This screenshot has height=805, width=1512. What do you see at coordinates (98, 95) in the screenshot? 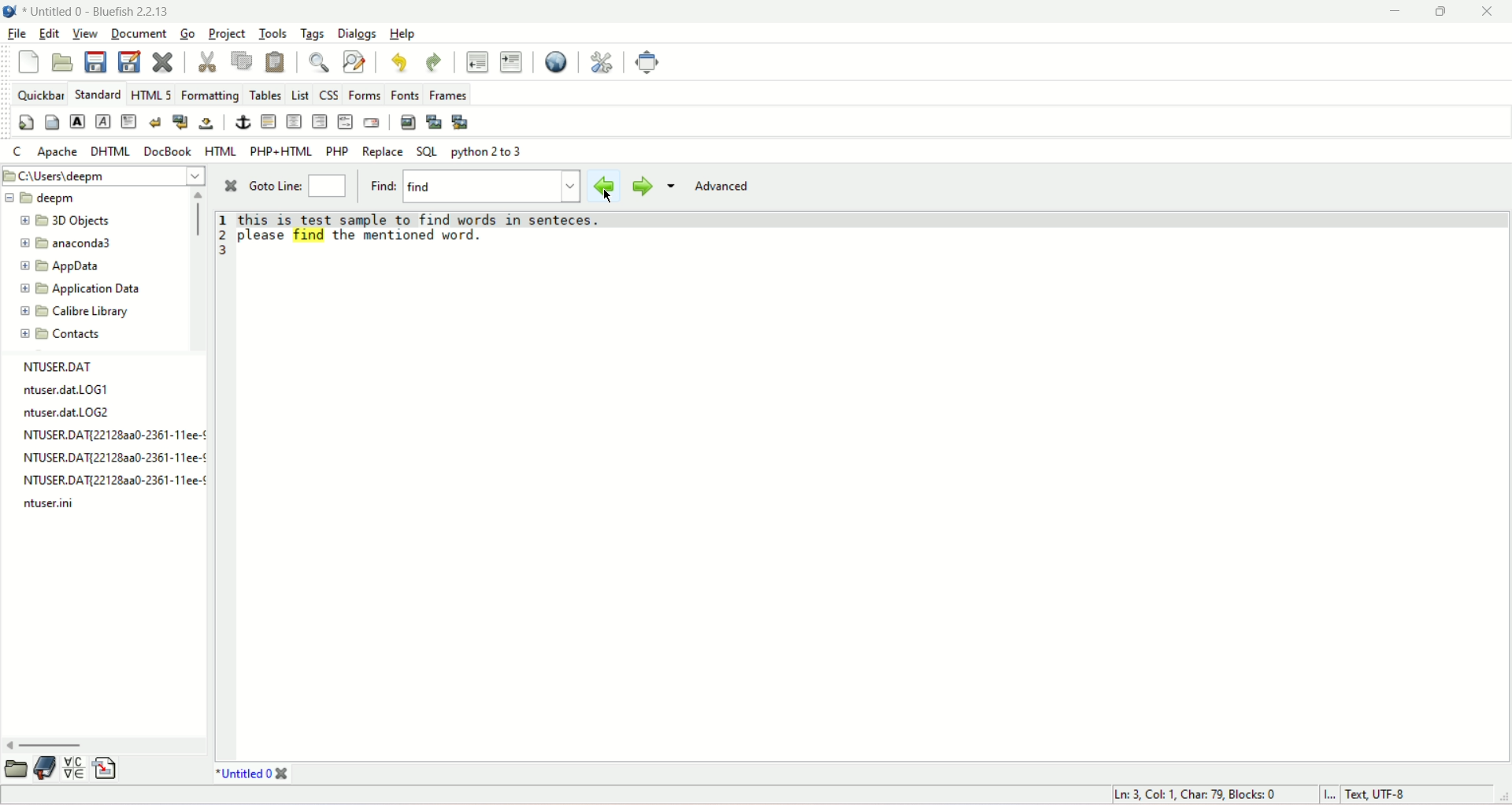
I see `STANDARD` at bounding box center [98, 95].